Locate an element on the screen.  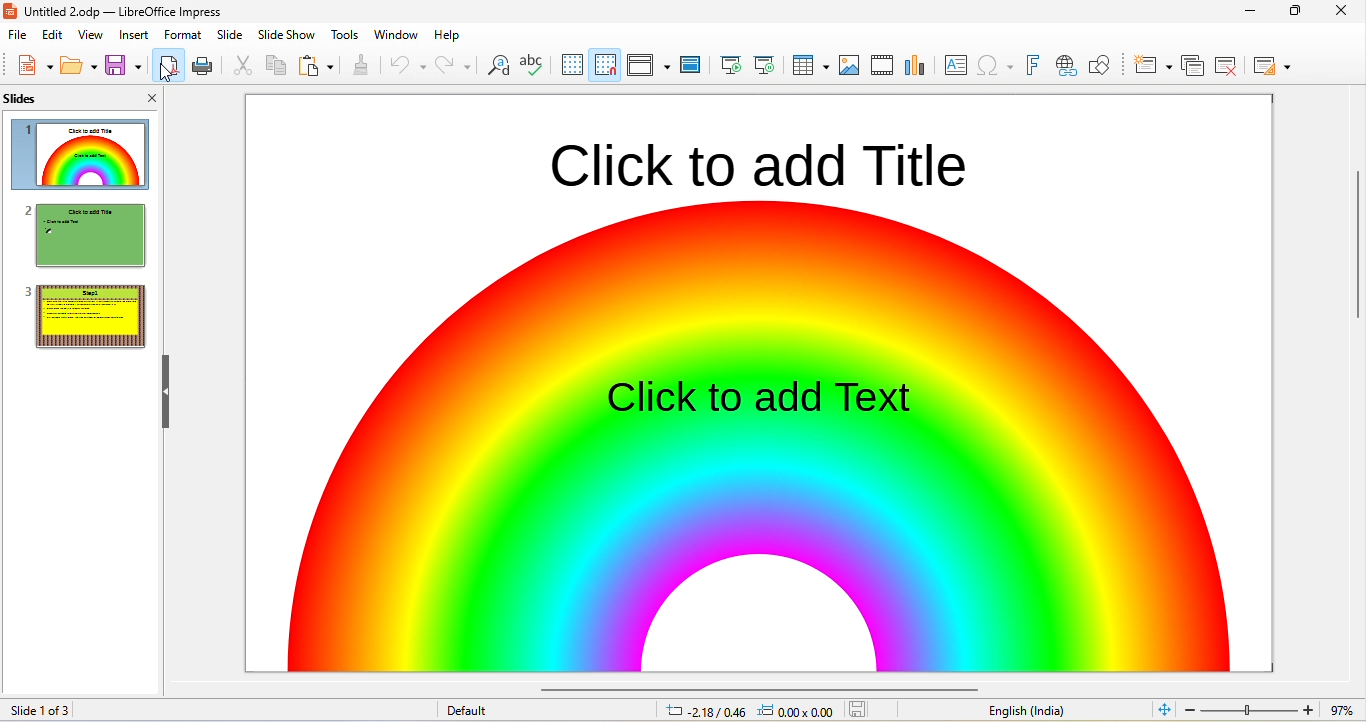
table is located at coordinates (808, 65).